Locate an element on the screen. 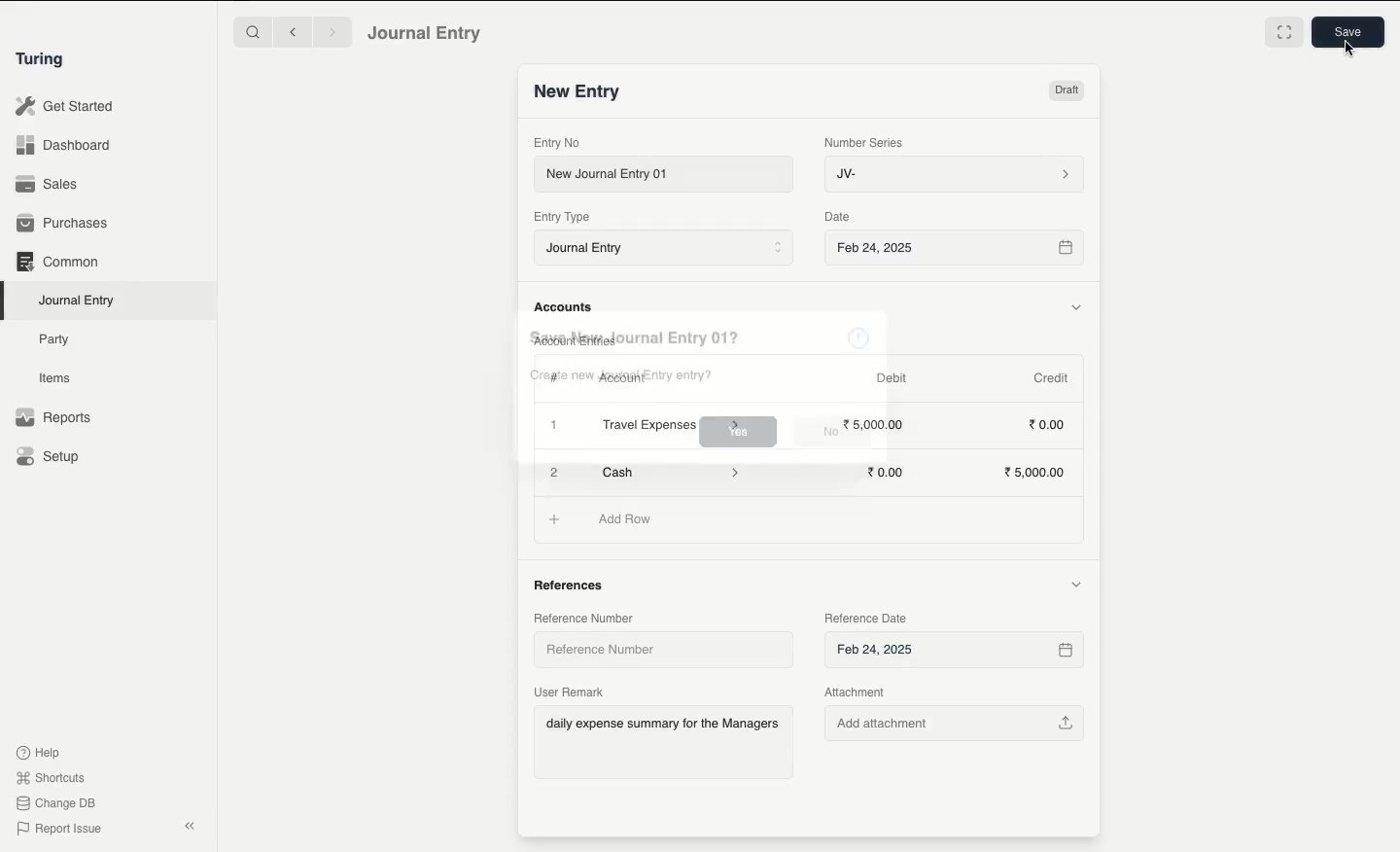  Sales is located at coordinates (50, 184).